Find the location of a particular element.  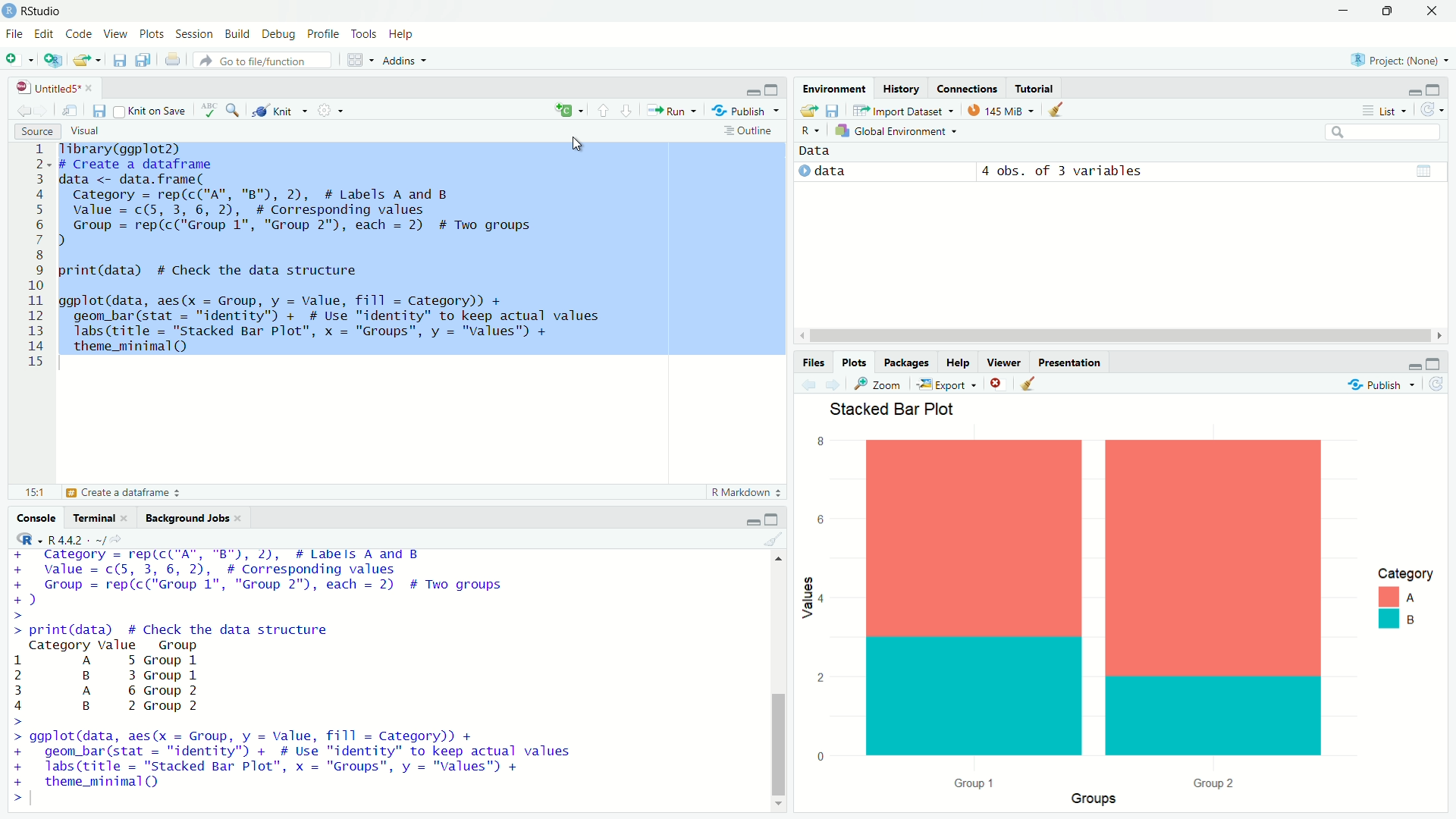

Global Environement is located at coordinates (896, 130).